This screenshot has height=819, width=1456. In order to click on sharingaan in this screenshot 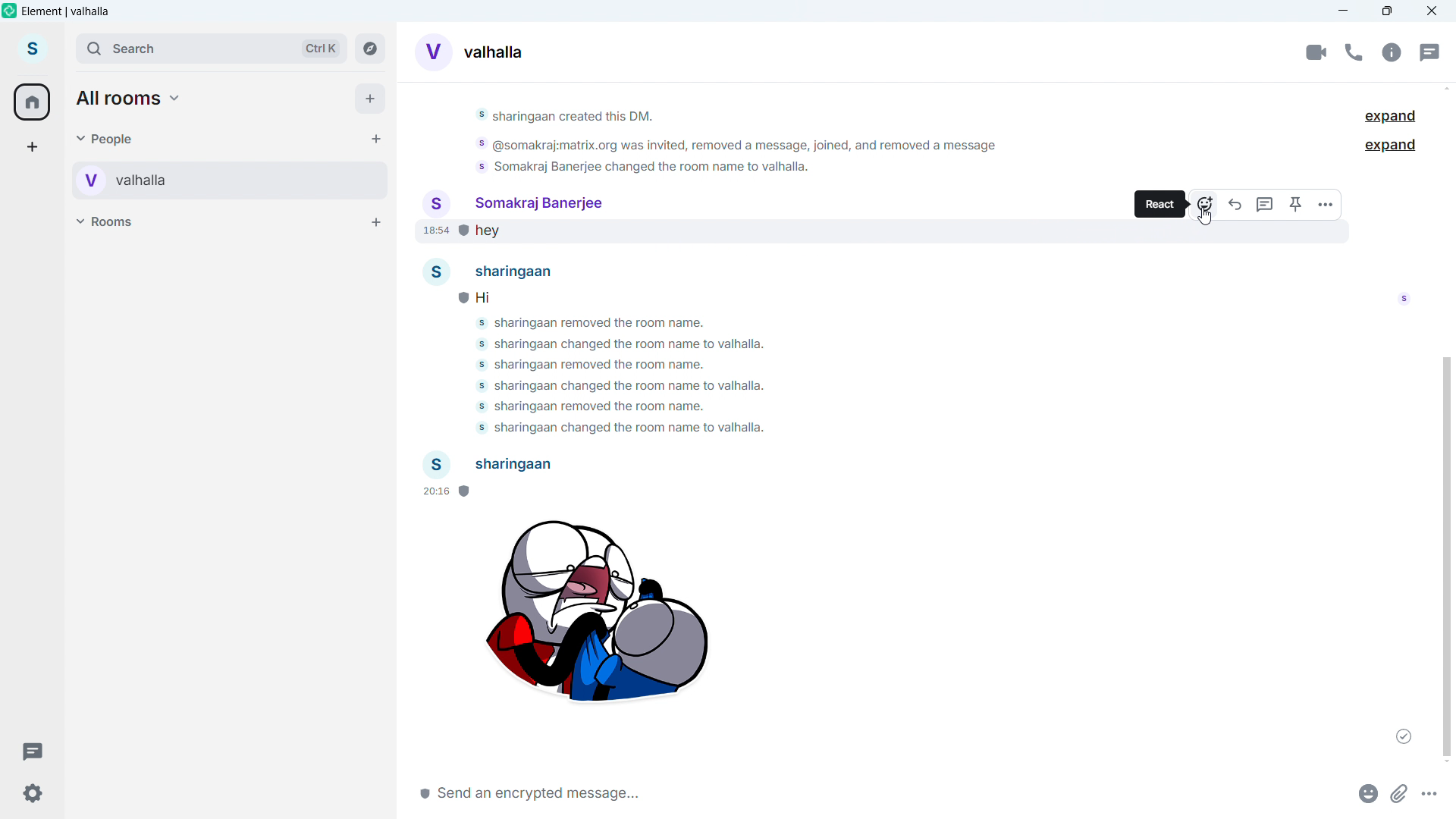, I will do `click(497, 271)`.